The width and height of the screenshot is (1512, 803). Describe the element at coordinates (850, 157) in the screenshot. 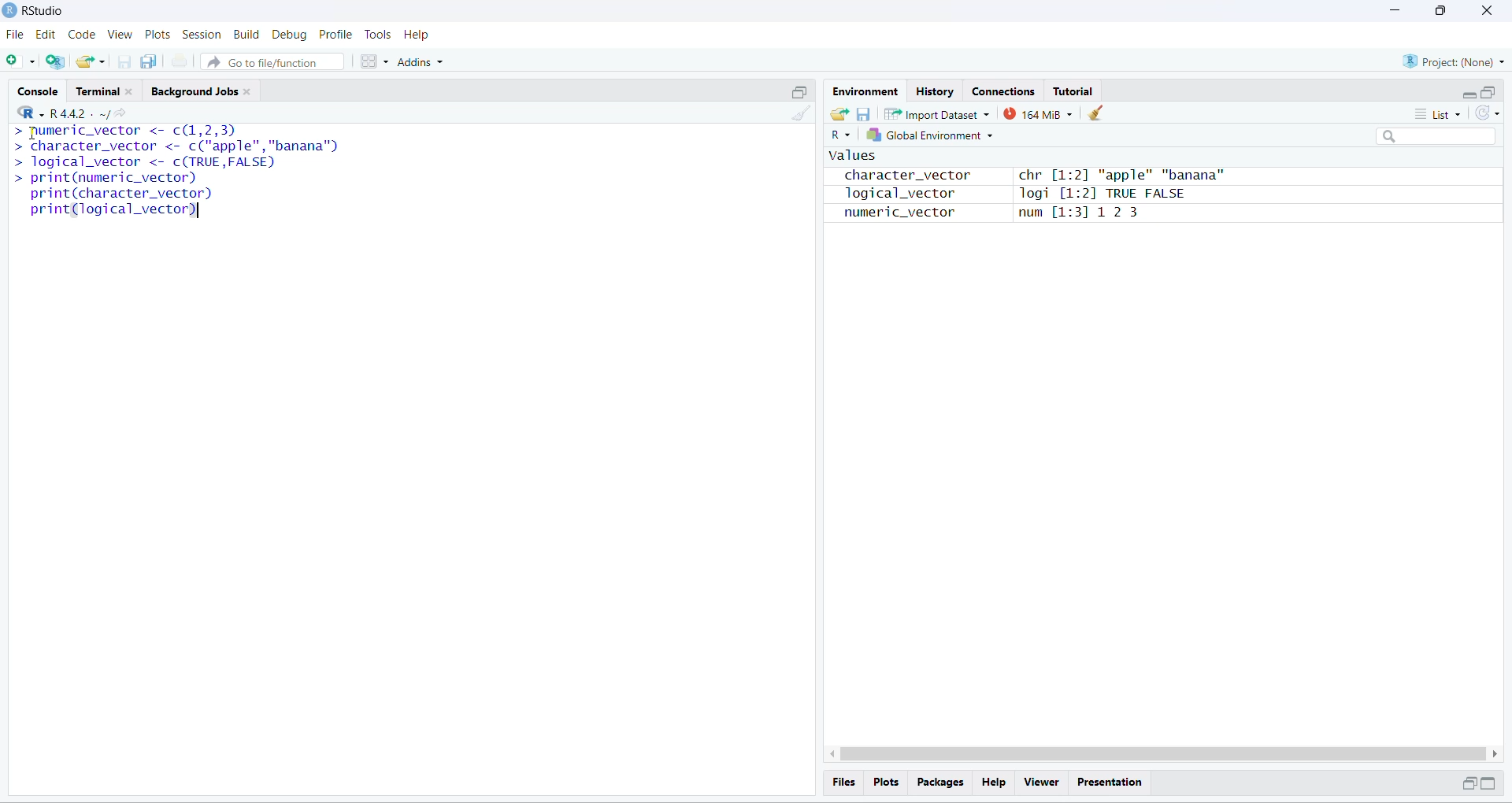

I see `values` at that location.